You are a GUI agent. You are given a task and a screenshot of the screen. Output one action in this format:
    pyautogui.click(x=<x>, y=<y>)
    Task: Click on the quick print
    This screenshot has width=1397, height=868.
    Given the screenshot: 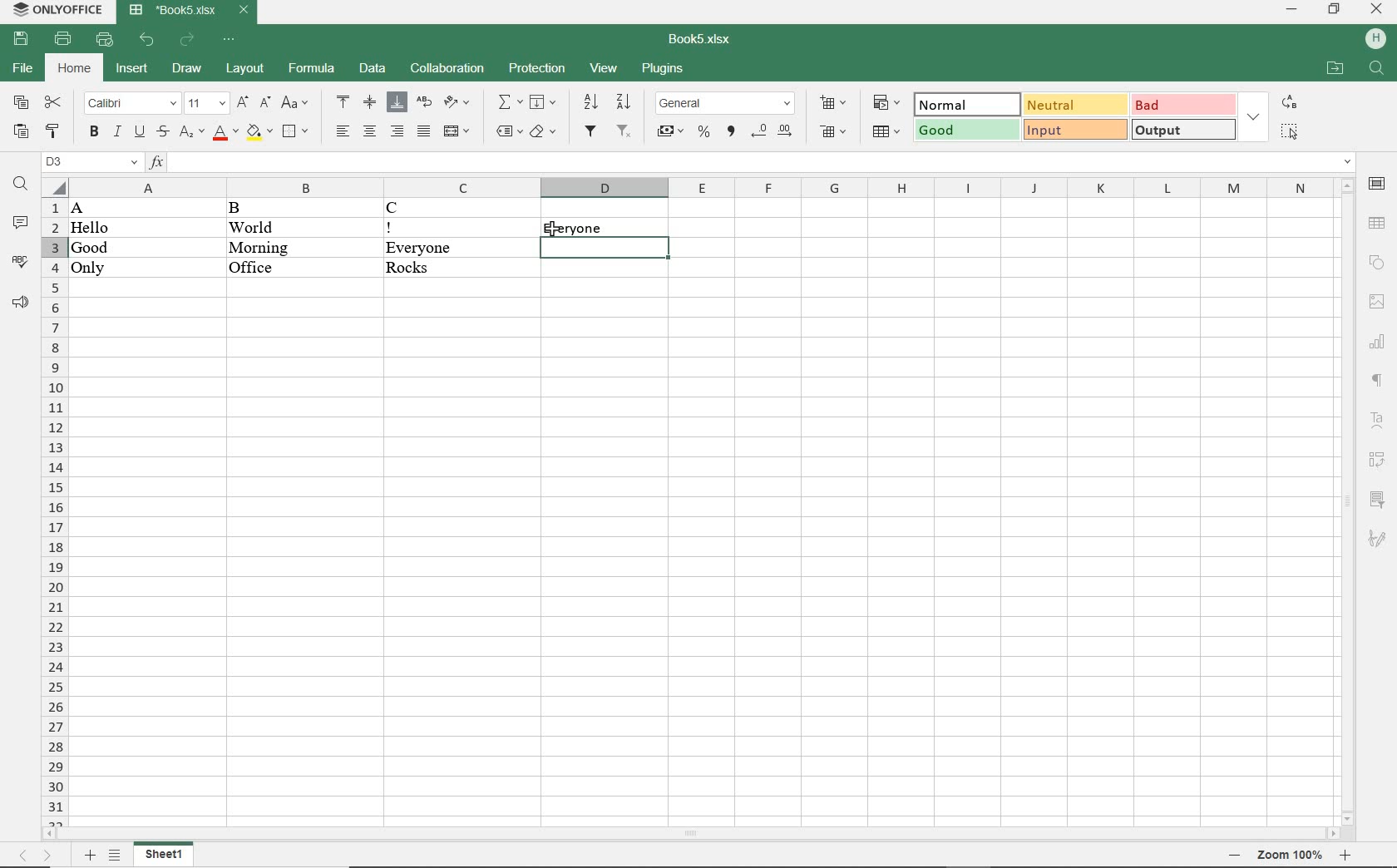 What is the action you would take?
    pyautogui.click(x=106, y=41)
    